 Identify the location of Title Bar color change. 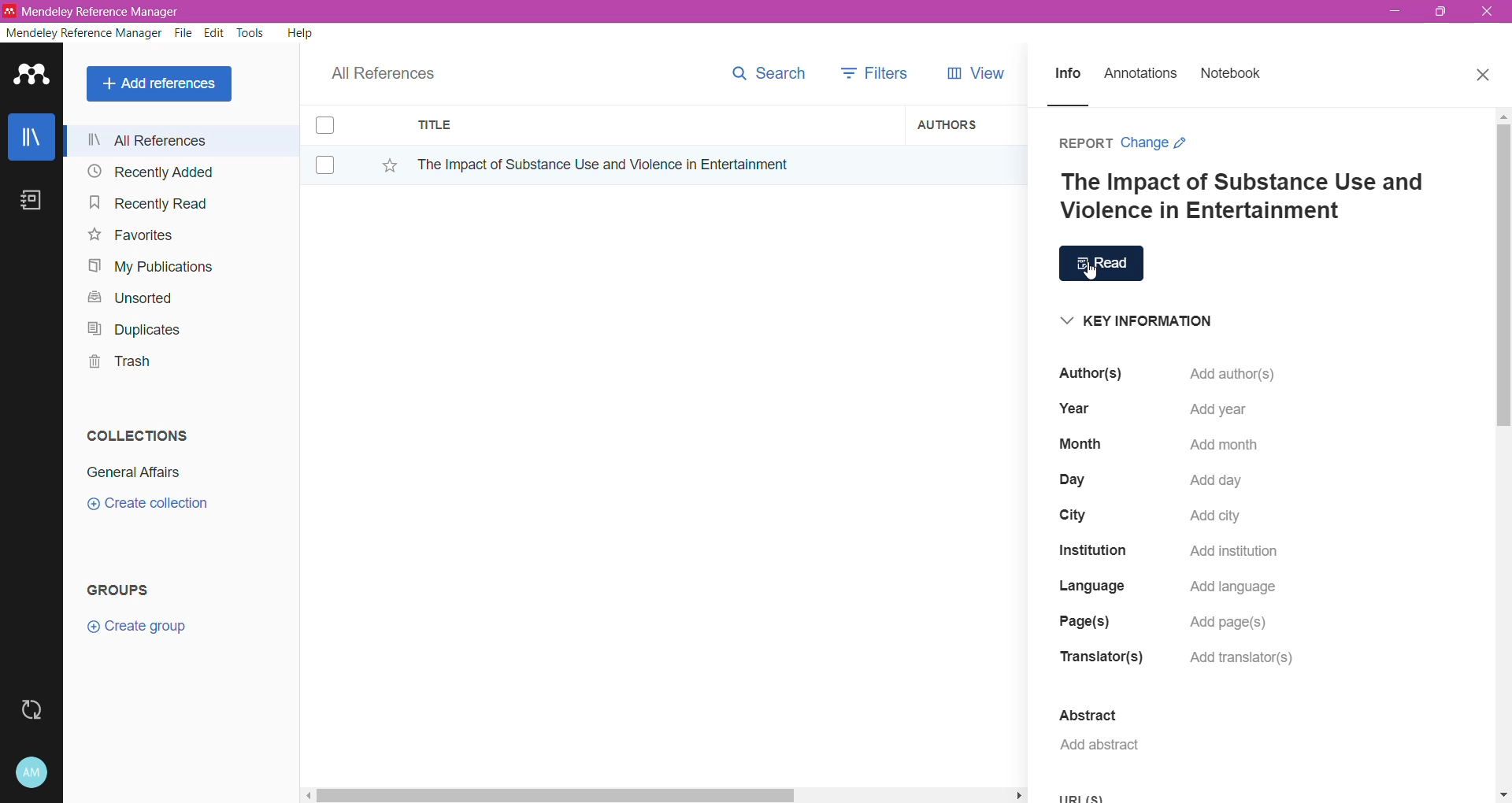
(843, 12).